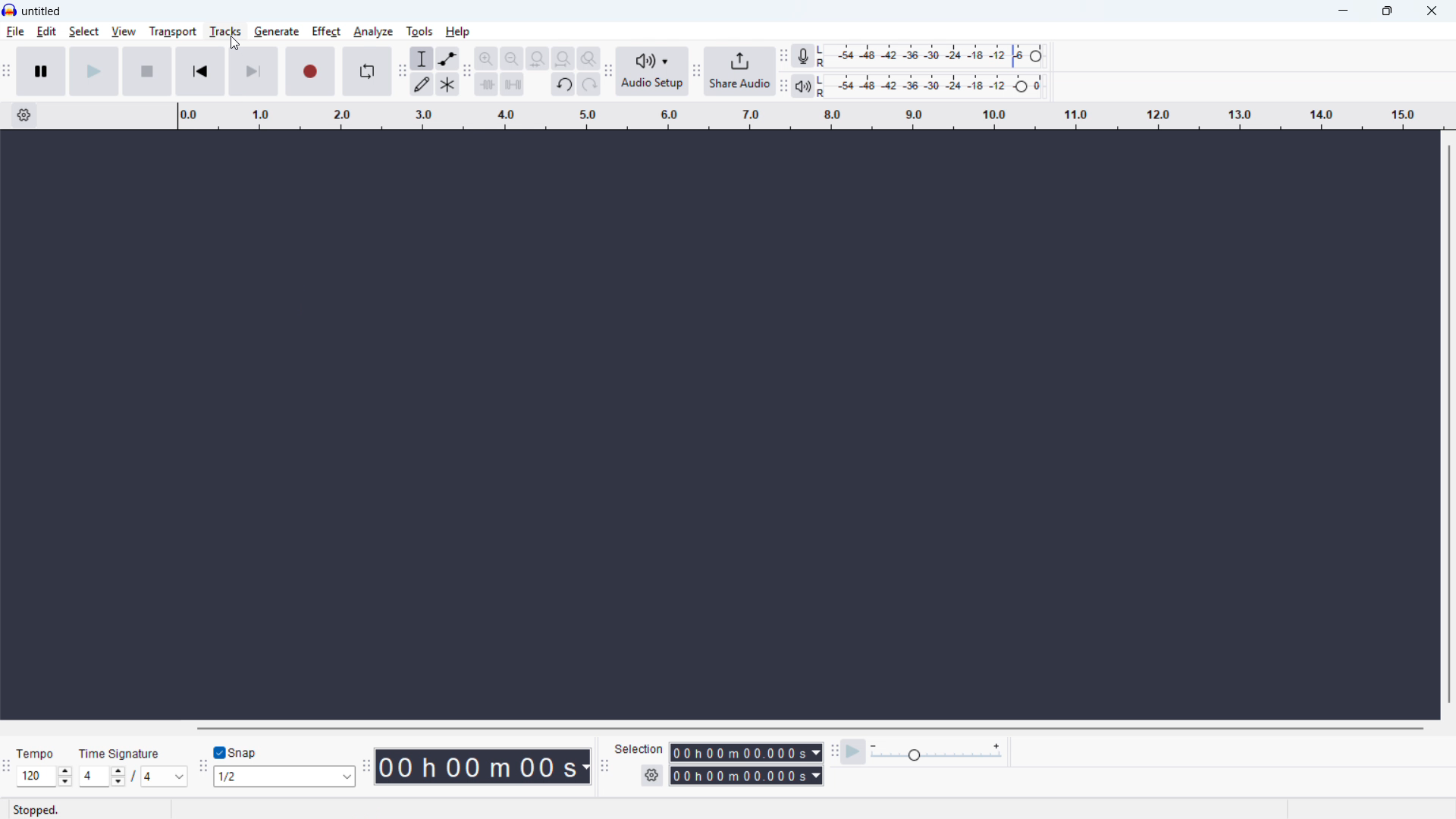 The width and height of the screenshot is (1456, 819). What do you see at coordinates (36, 754) in the screenshot?
I see `tempo` at bounding box center [36, 754].